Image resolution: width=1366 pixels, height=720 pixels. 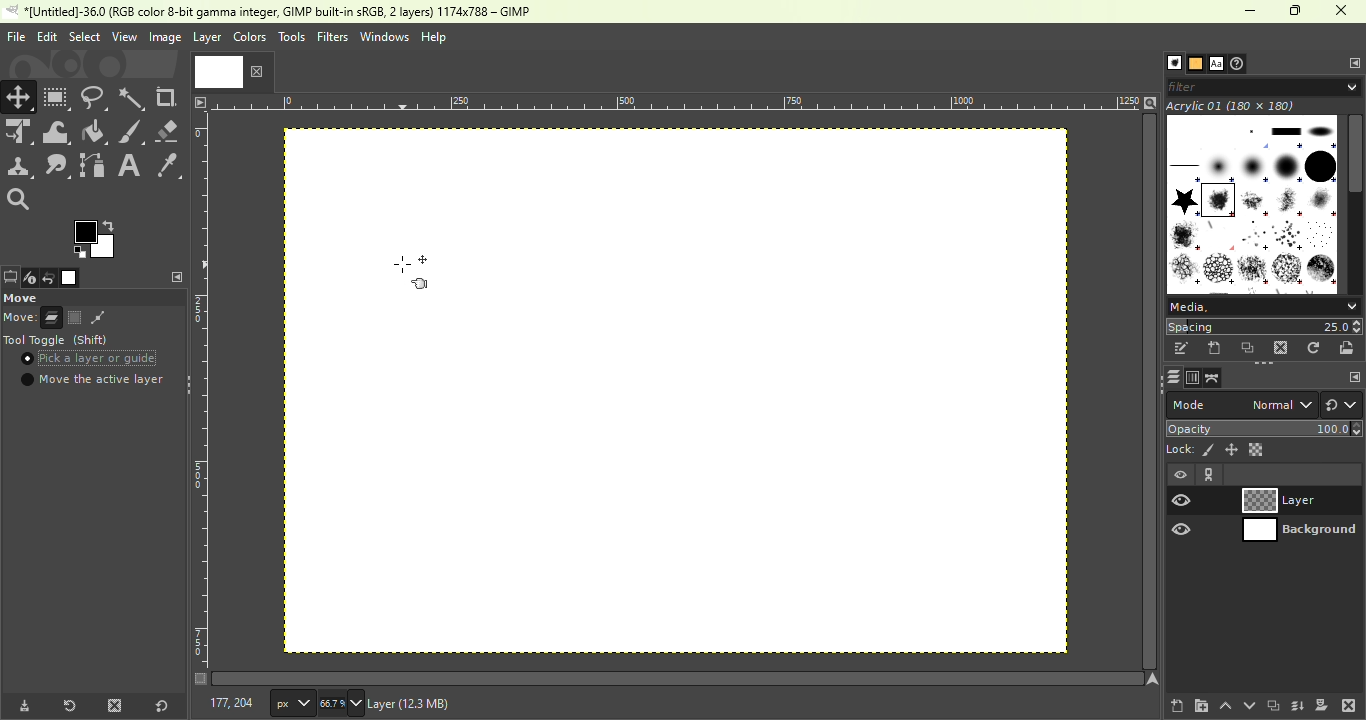 What do you see at coordinates (1265, 500) in the screenshot?
I see `Background setting` at bounding box center [1265, 500].